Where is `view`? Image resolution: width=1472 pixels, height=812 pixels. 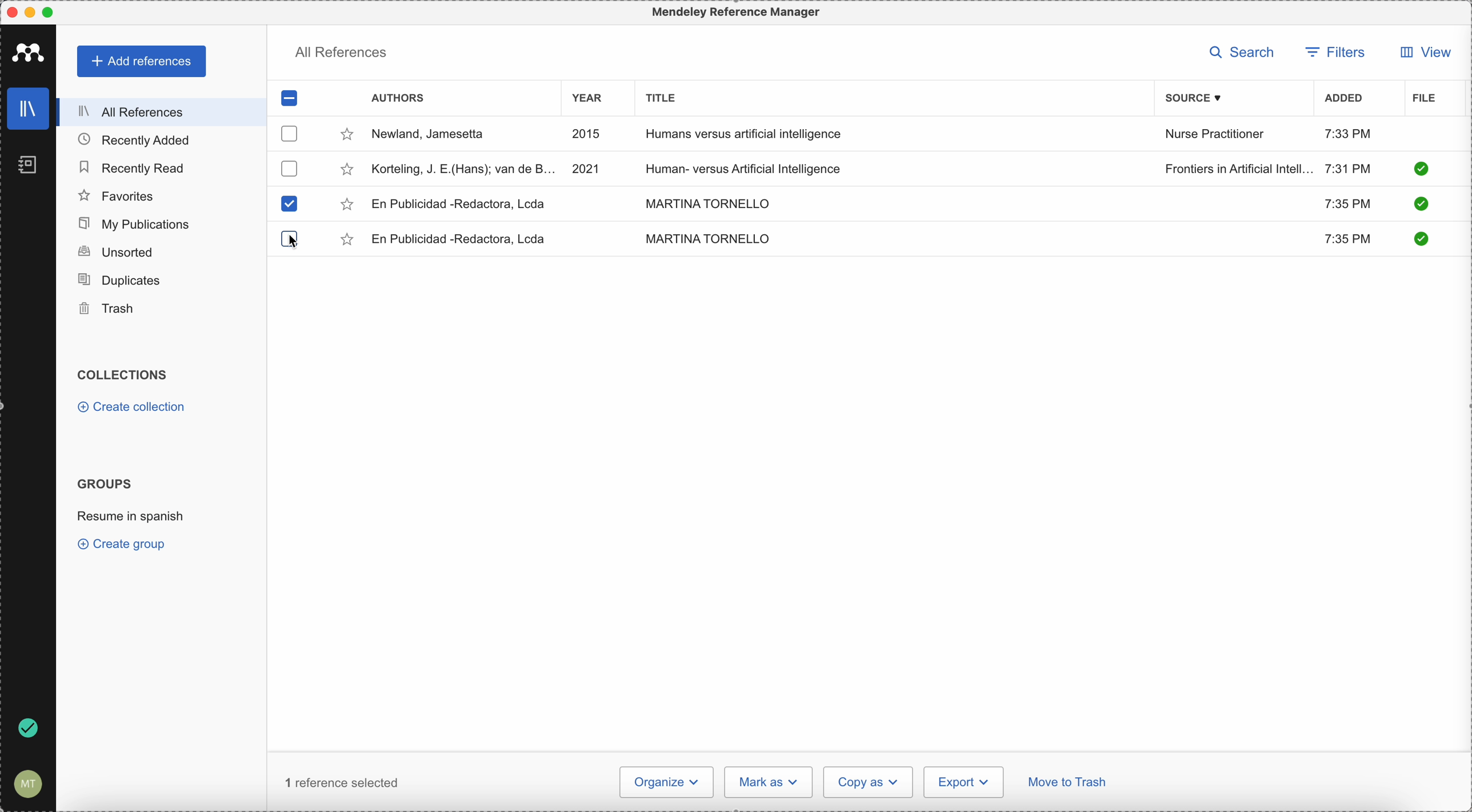
view is located at coordinates (1422, 52).